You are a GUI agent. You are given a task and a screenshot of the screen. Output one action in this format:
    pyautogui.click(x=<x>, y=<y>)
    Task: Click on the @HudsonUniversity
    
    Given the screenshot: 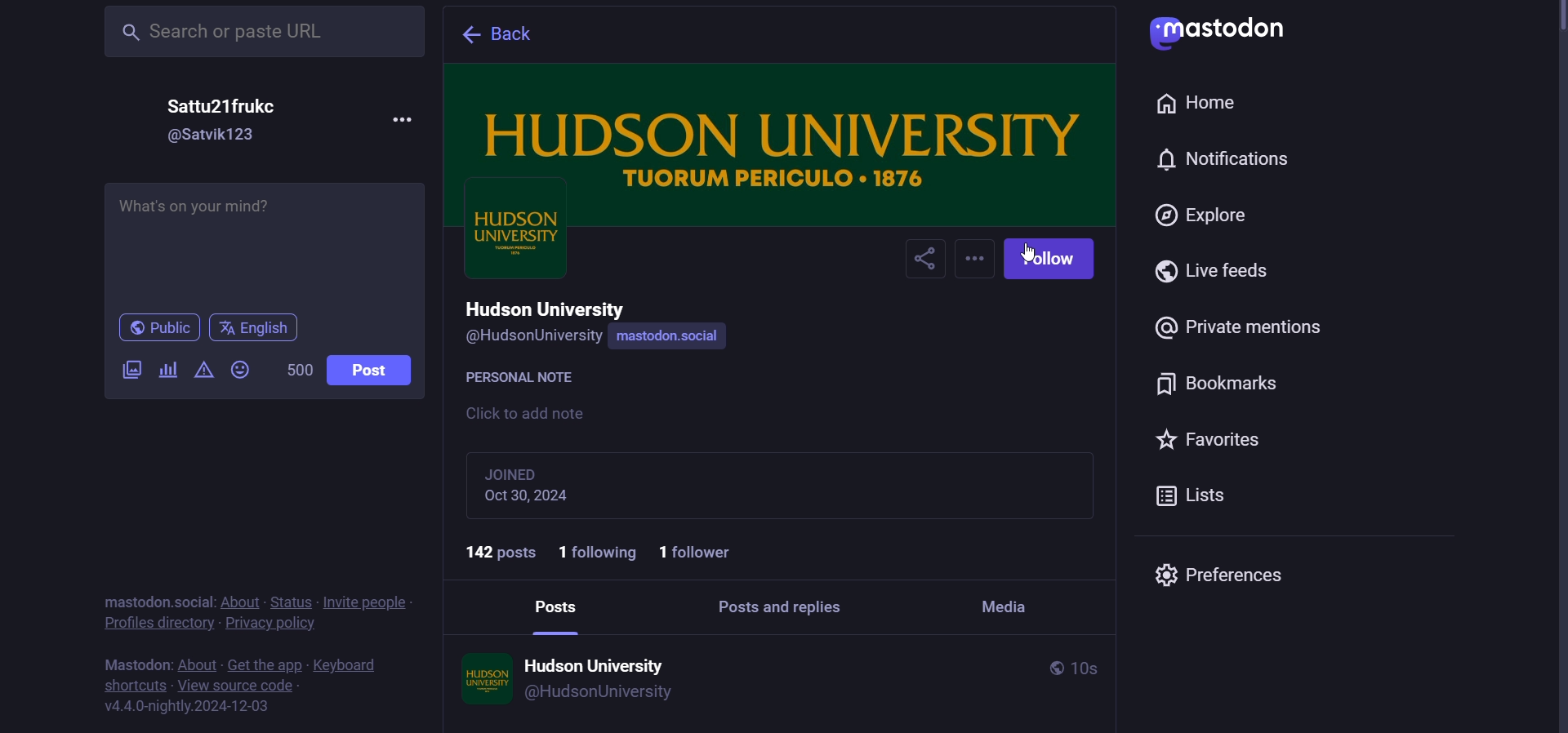 What is the action you would take?
    pyautogui.click(x=602, y=693)
    